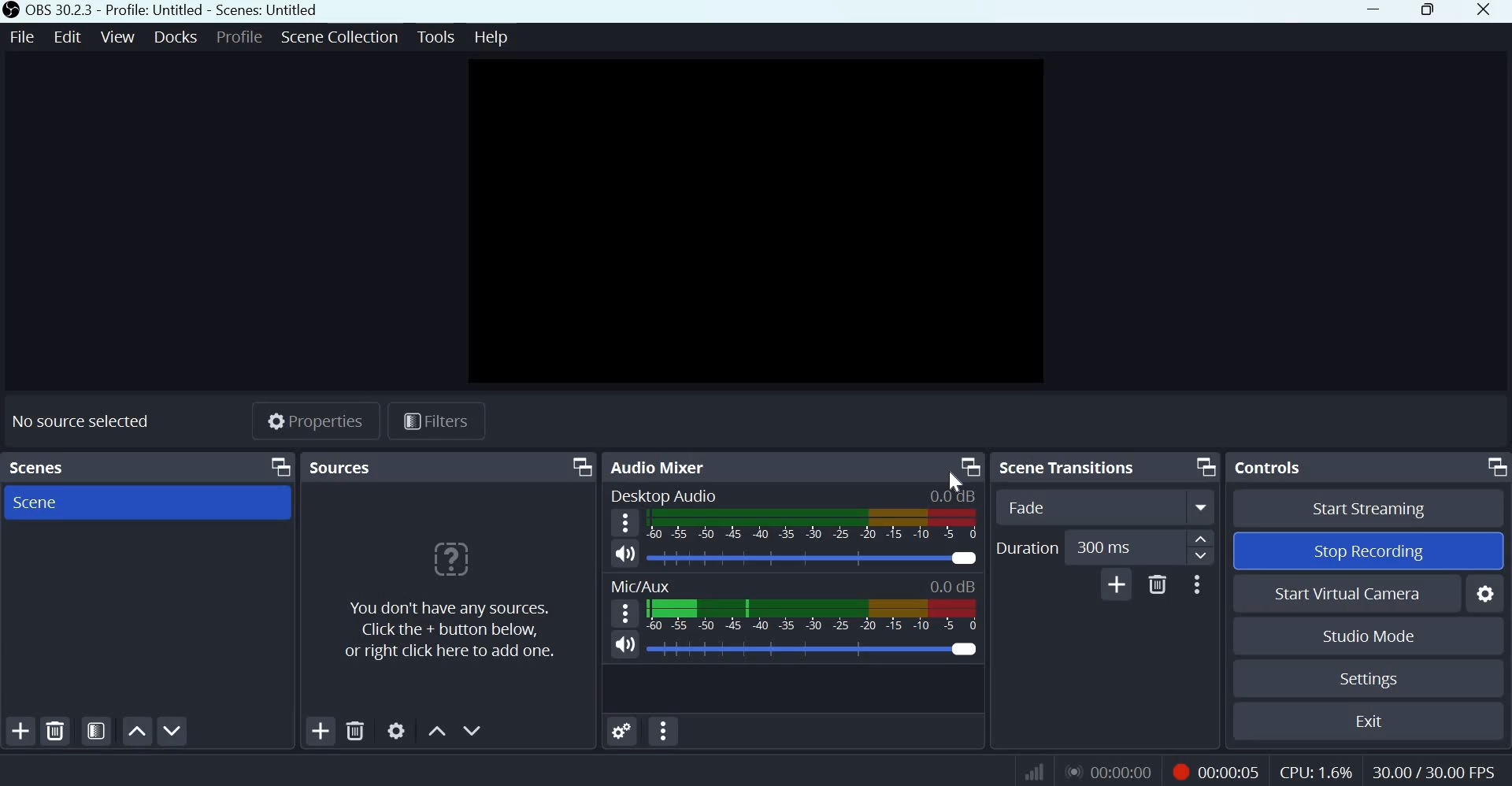 This screenshot has width=1512, height=786. Describe the element at coordinates (1432, 769) in the screenshot. I see `30.00/30.00 FPS` at that location.